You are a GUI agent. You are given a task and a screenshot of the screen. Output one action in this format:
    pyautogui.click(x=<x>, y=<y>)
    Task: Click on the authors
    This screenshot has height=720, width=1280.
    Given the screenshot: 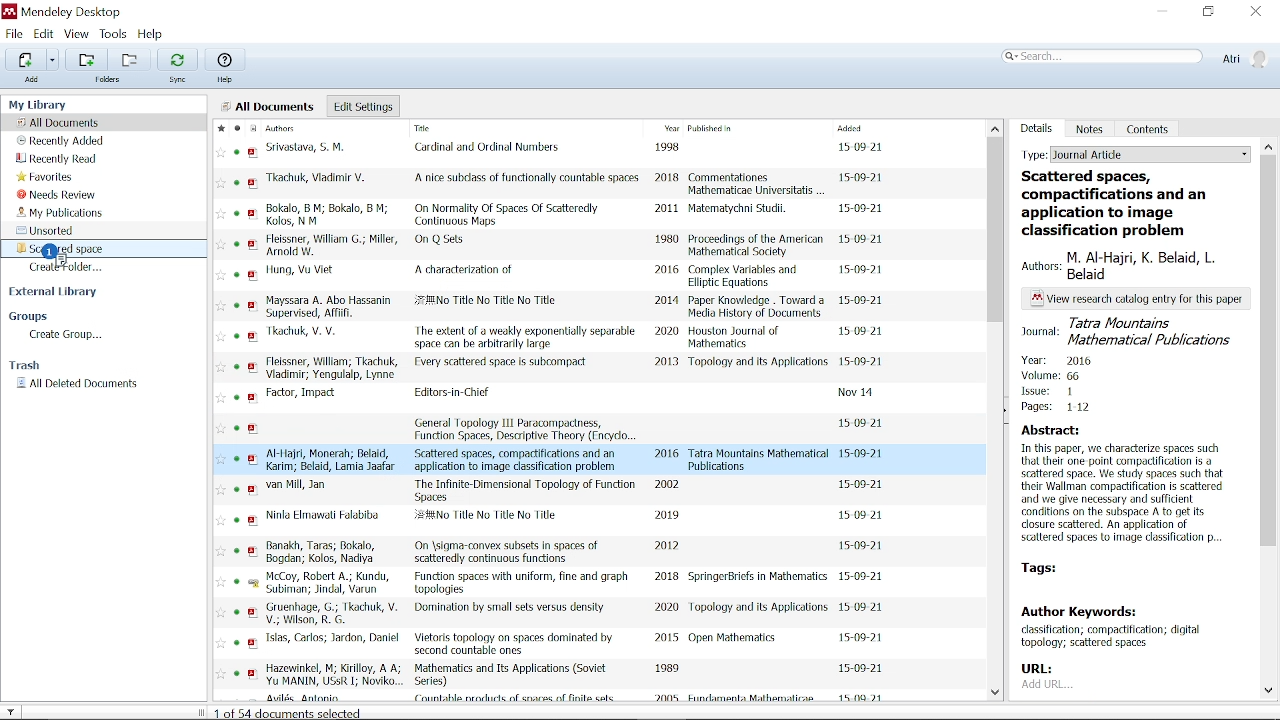 What is the action you would take?
    pyautogui.click(x=330, y=368)
    